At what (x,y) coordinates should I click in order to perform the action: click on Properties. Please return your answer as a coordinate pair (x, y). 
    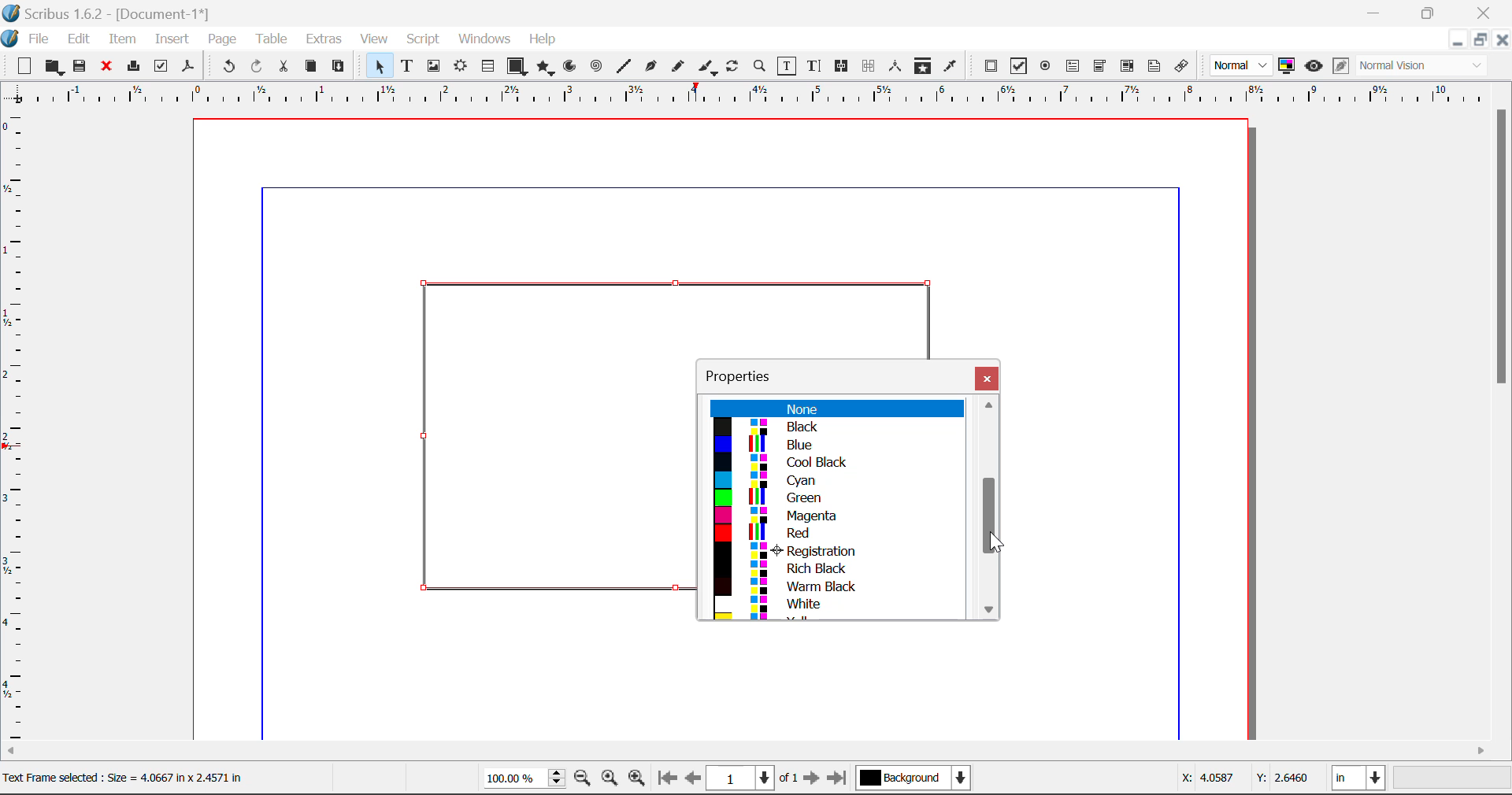
    Looking at the image, I should click on (748, 374).